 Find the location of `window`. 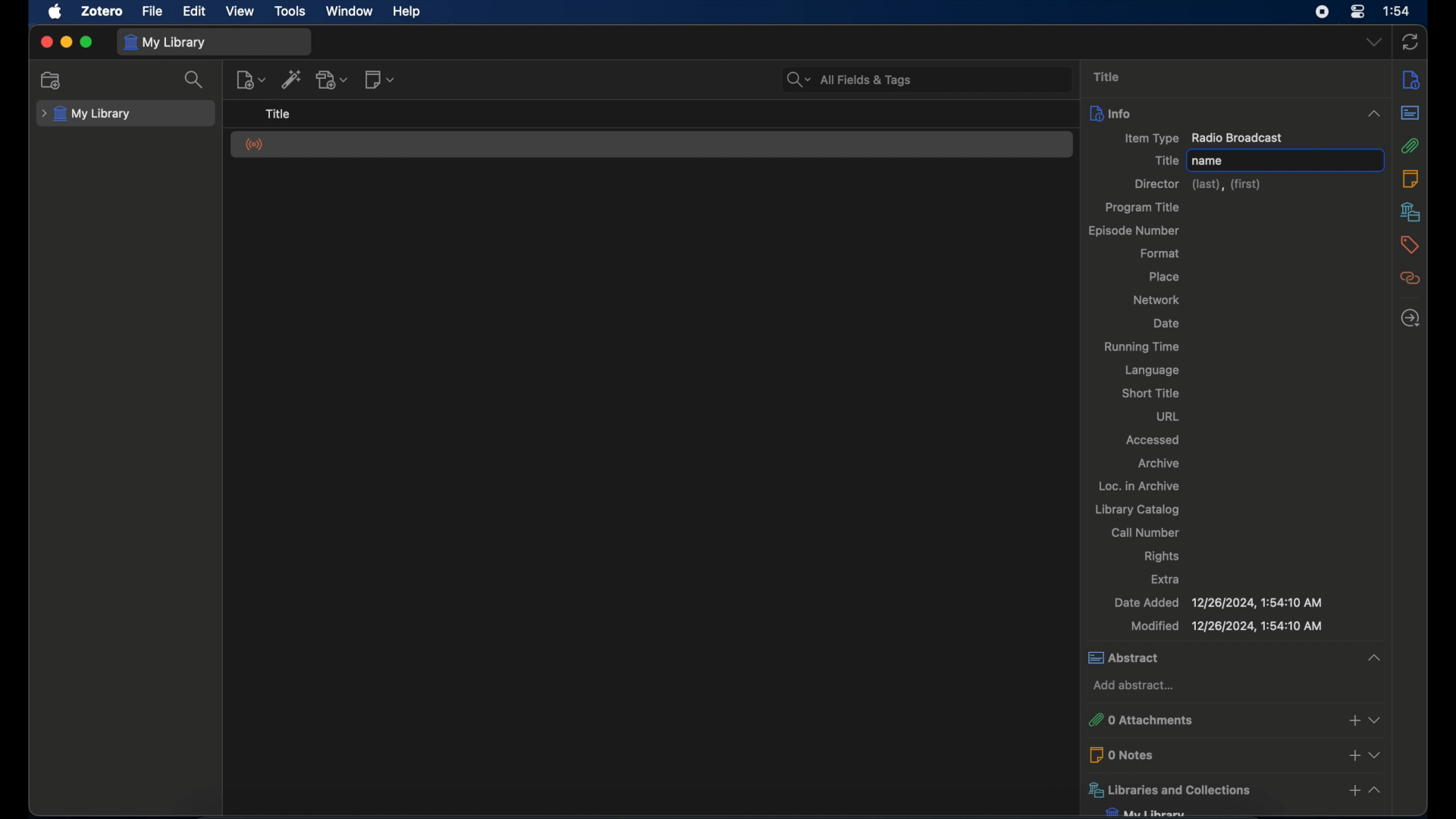

window is located at coordinates (350, 11).